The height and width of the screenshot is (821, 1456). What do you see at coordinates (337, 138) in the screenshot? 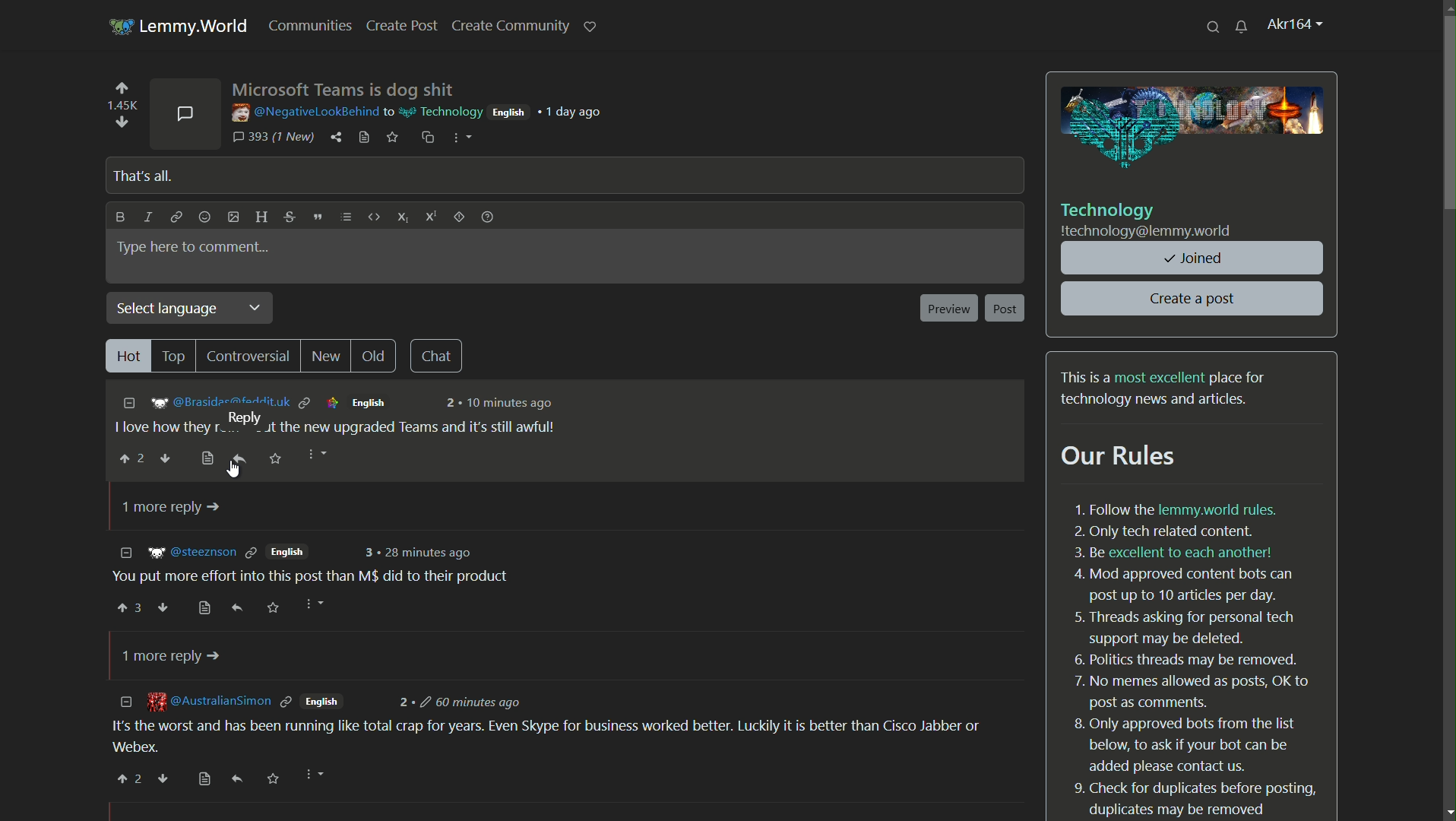
I see `share` at bounding box center [337, 138].